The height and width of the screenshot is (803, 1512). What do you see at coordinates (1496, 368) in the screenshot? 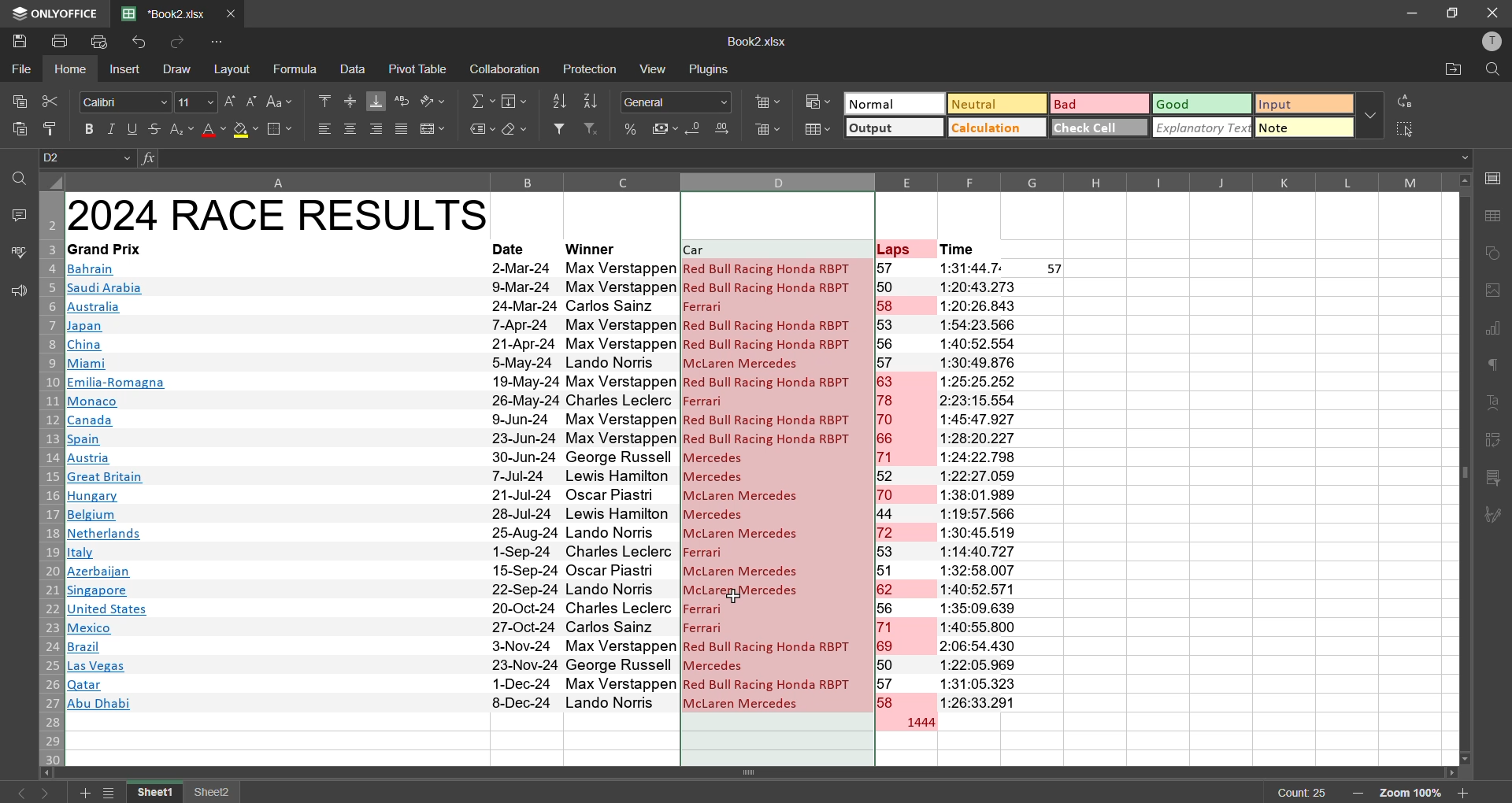
I see `paragraph` at bounding box center [1496, 368].